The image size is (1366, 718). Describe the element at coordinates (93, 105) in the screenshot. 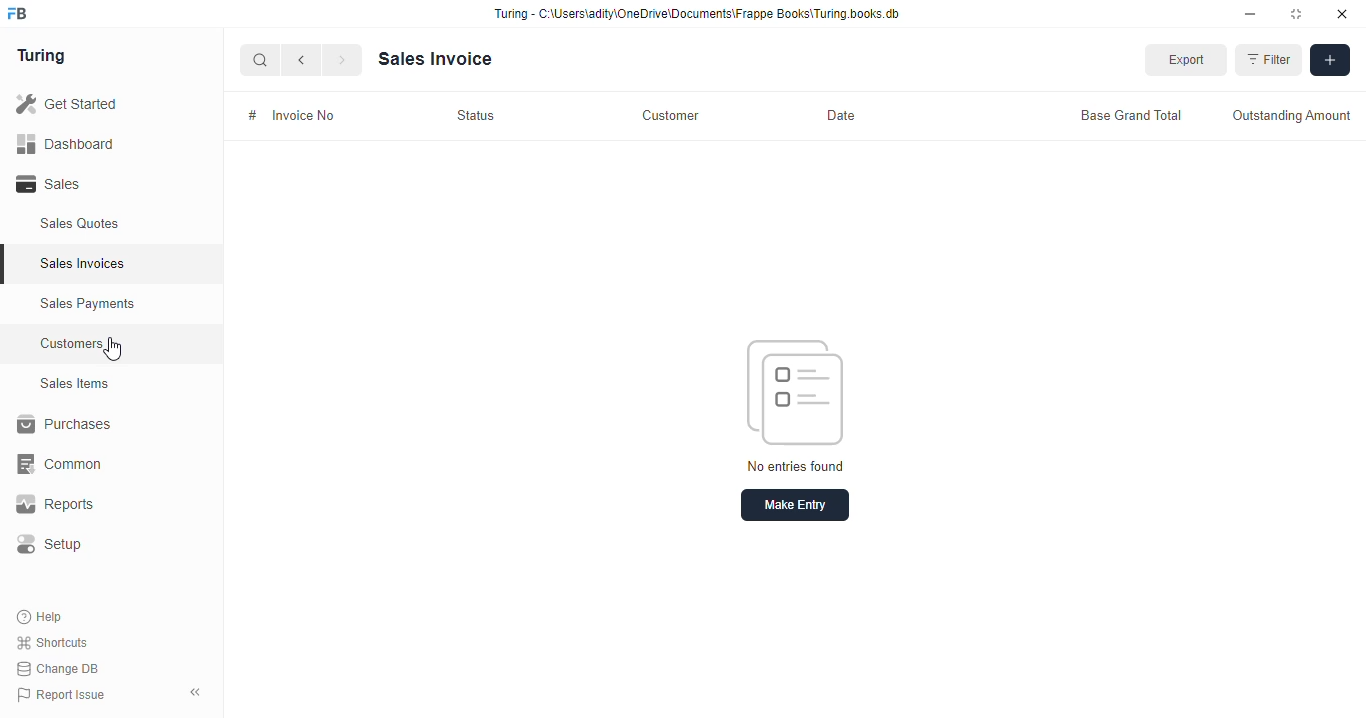

I see `Get Started` at that location.